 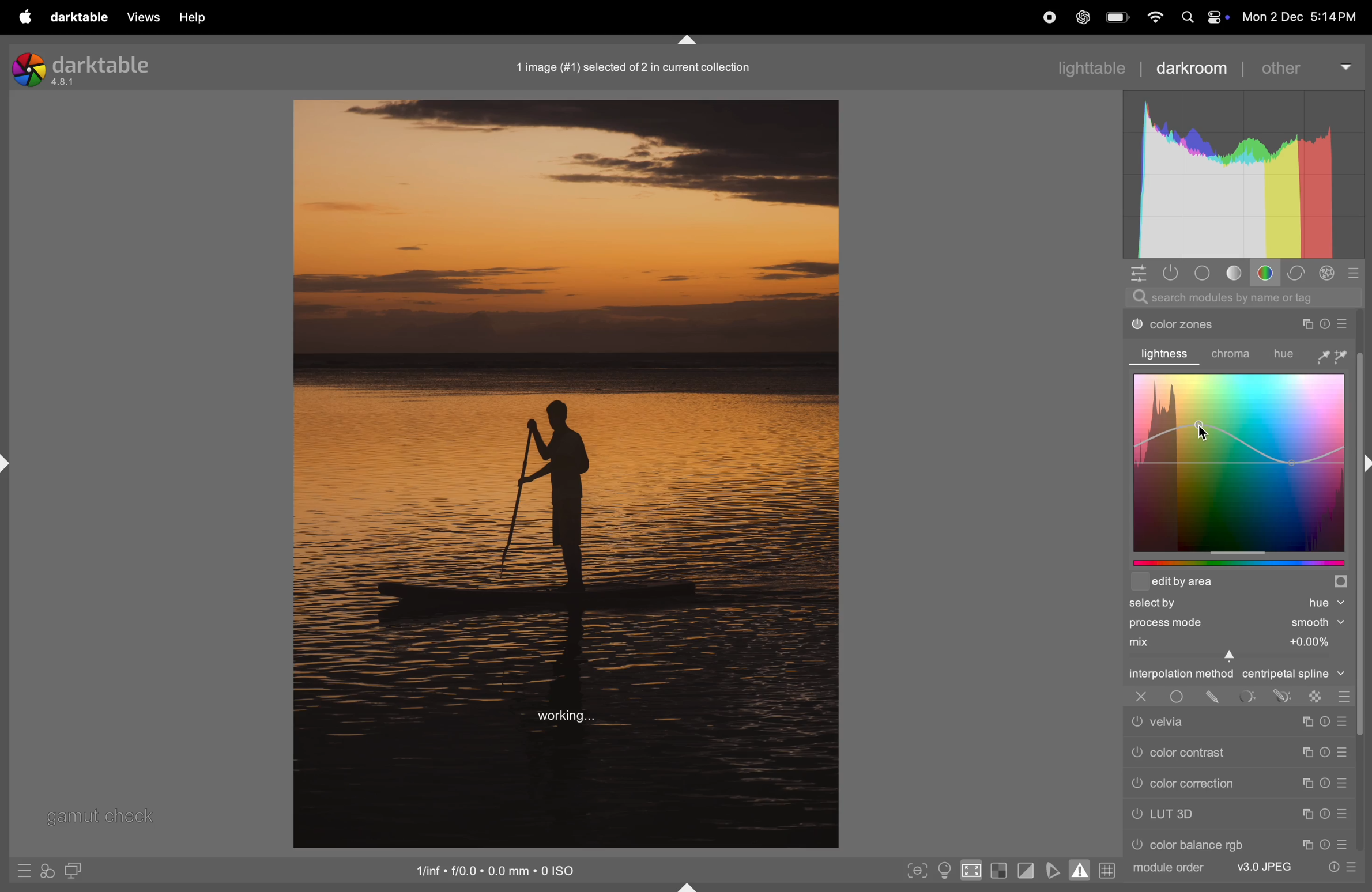 What do you see at coordinates (1338, 868) in the screenshot?
I see `quick acess to preset` at bounding box center [1338, 868].